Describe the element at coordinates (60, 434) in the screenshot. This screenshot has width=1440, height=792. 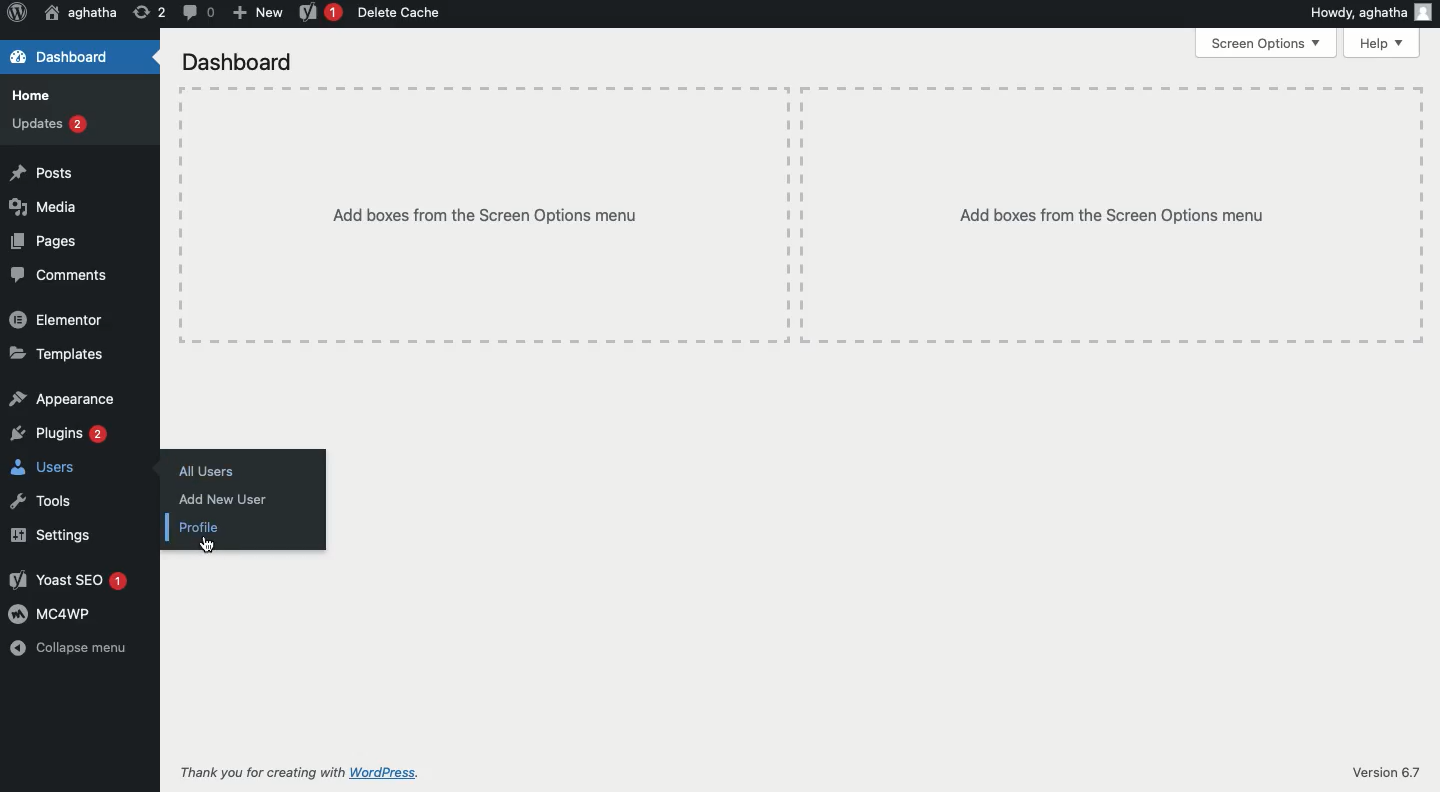
I see `Plugins` at that location.